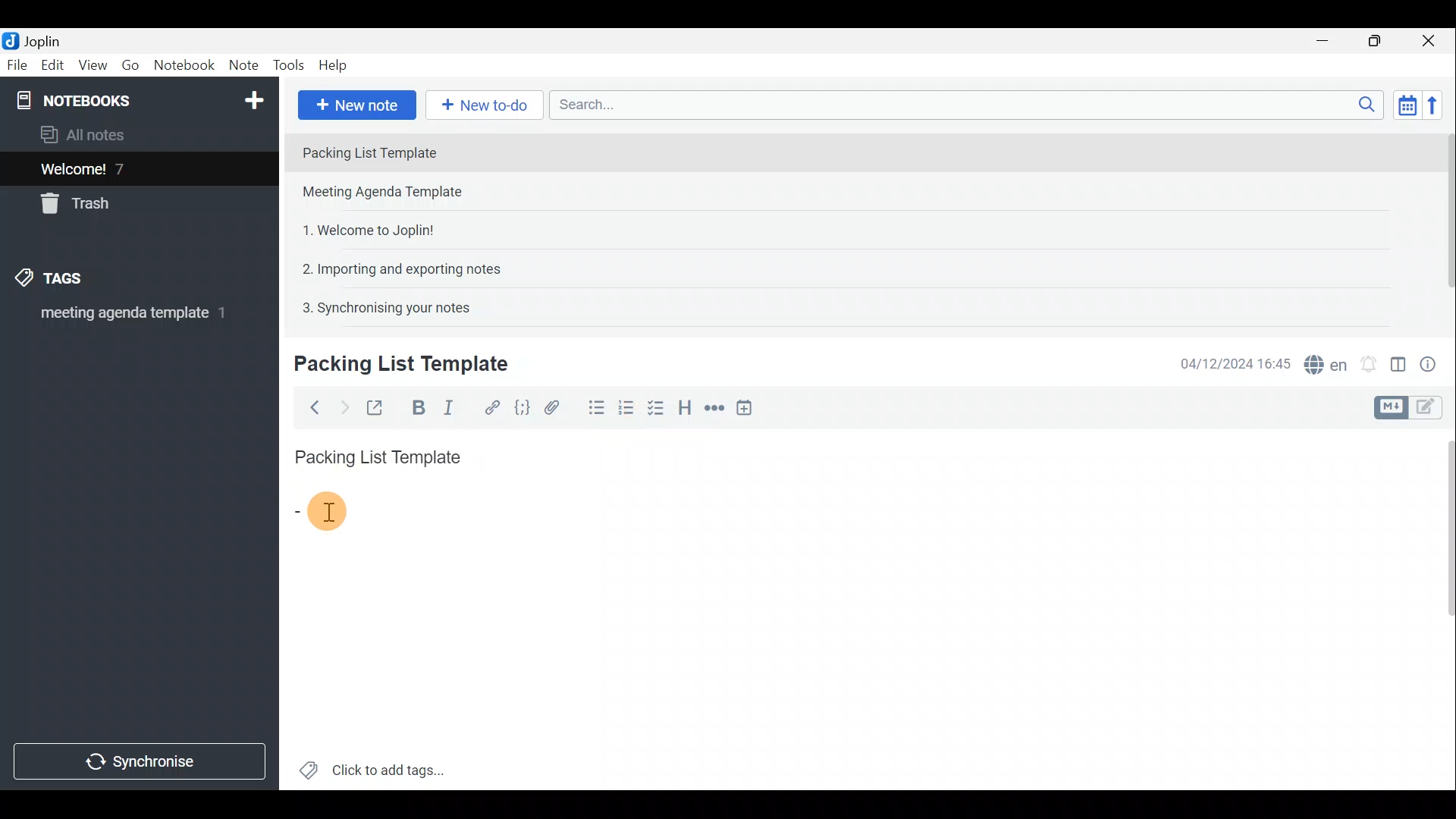 The width and height of the screenshot is (1456, 819). What do you see at coordinates (341, 406) in the screenshot?
I see `Forward` at bounding box center [341, 406].